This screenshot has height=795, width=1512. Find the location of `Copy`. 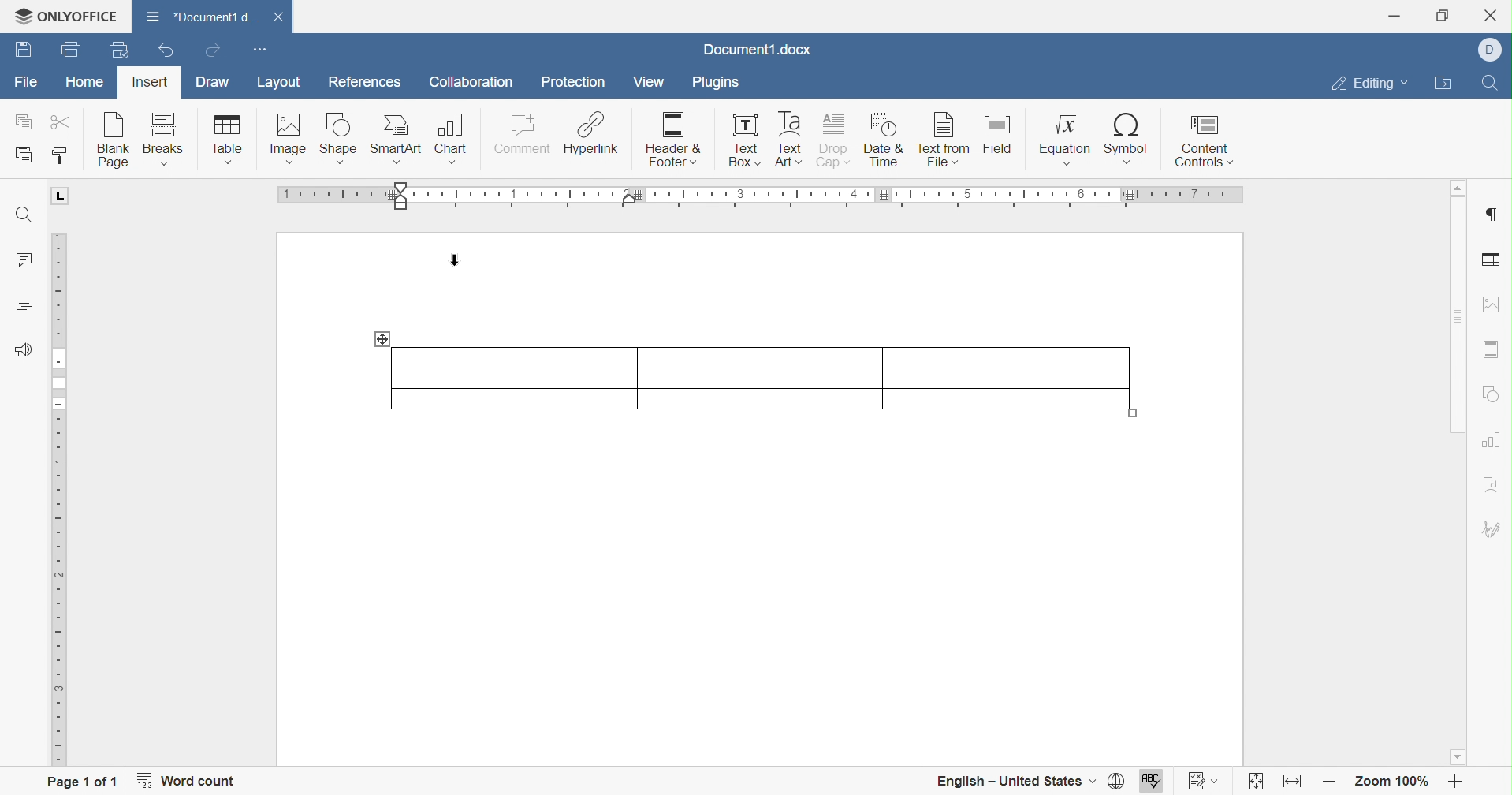

Copy is located at coordinates (19, 121).